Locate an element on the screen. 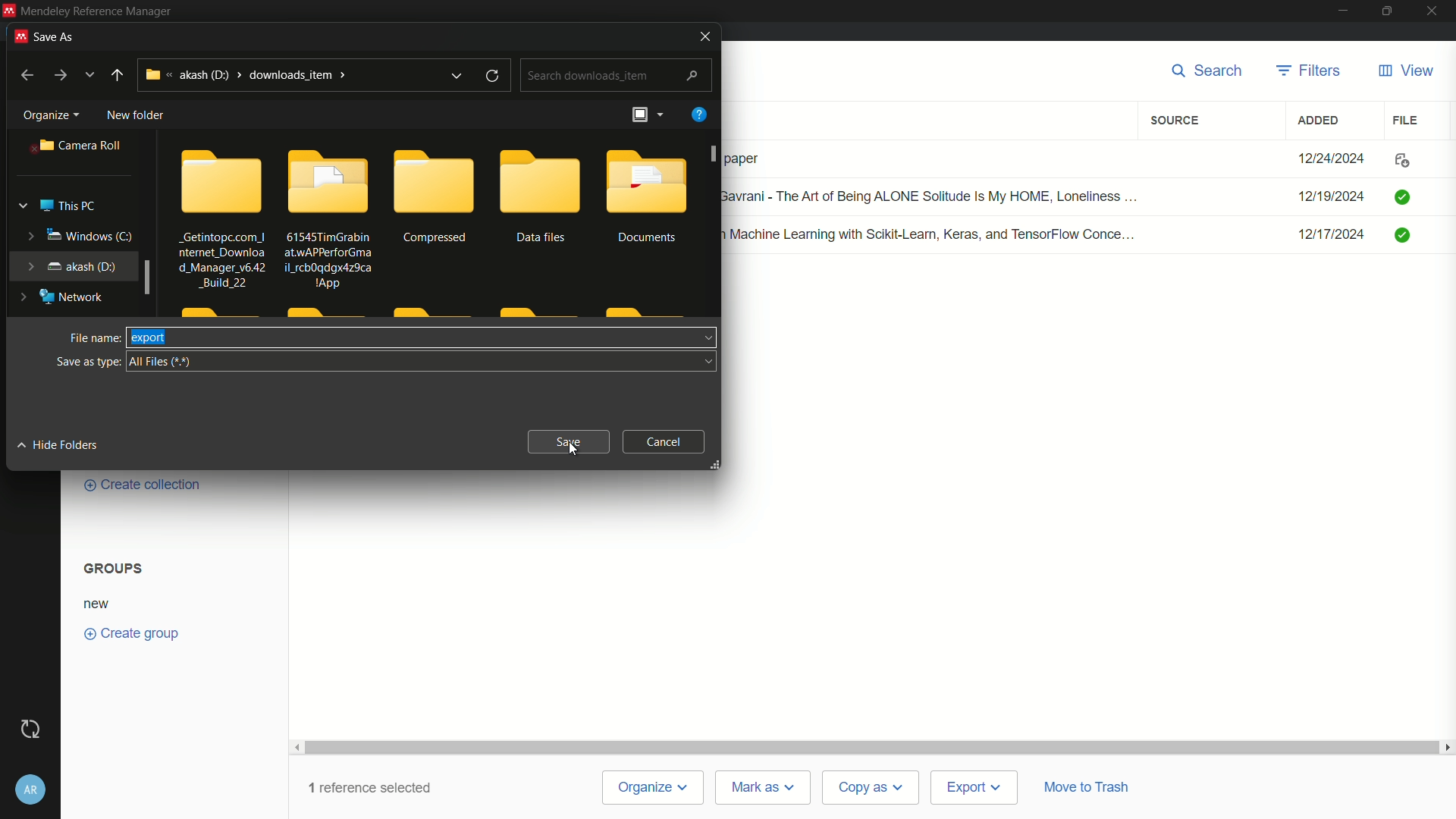  folder is located at coordinates (434, 180).